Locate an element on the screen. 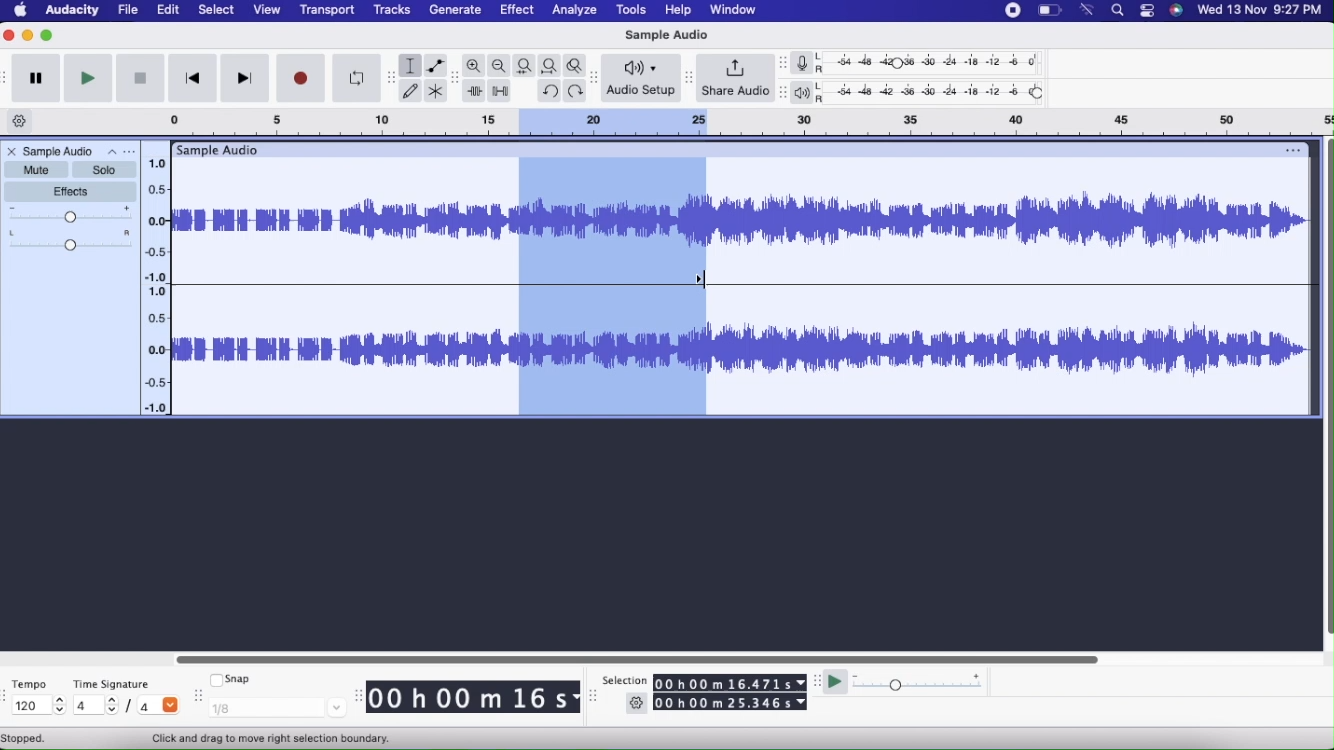 This screenshot has width=1334, height=750. Pan: Center is located at coordinates (71, 240).